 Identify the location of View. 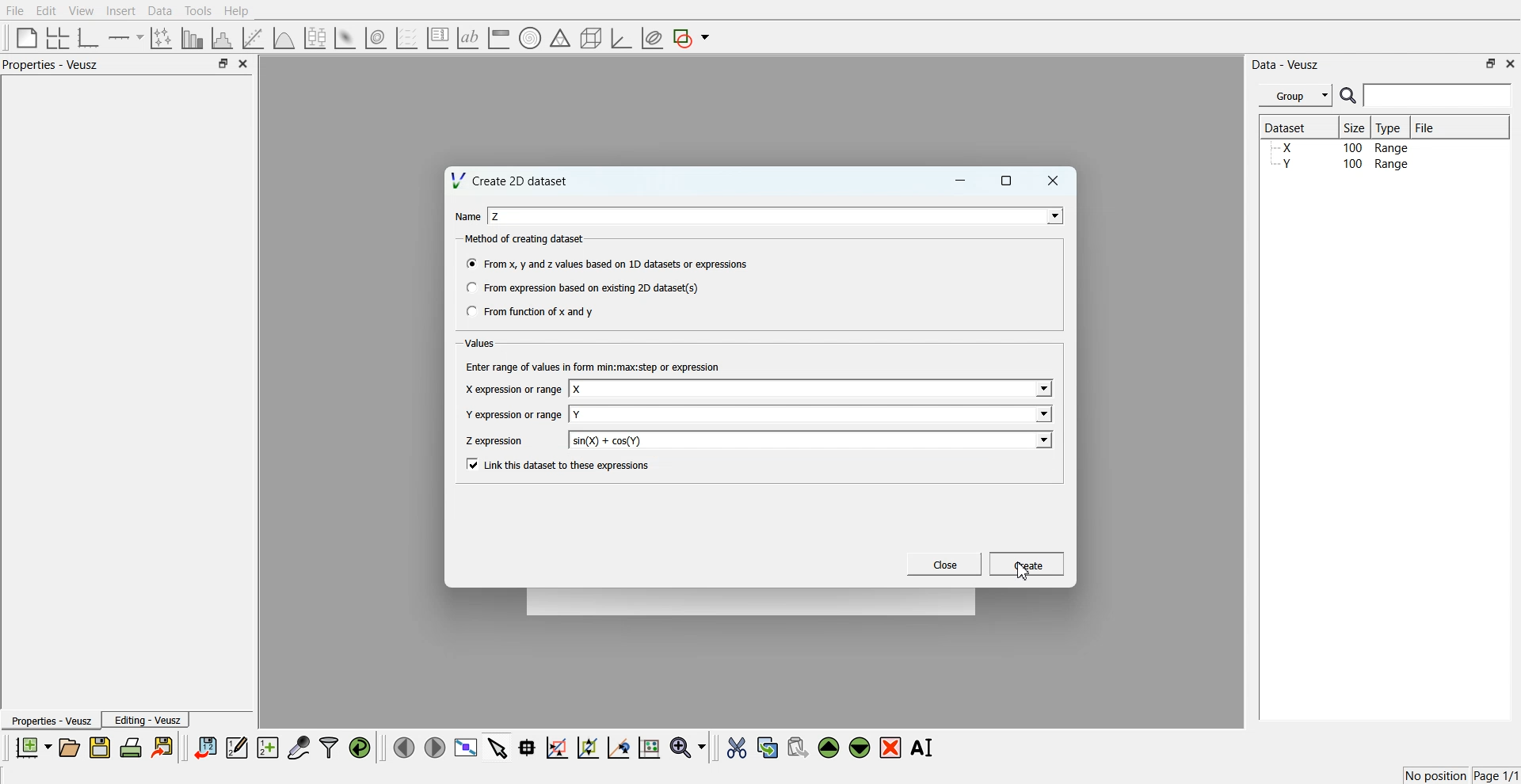
(82, 11).